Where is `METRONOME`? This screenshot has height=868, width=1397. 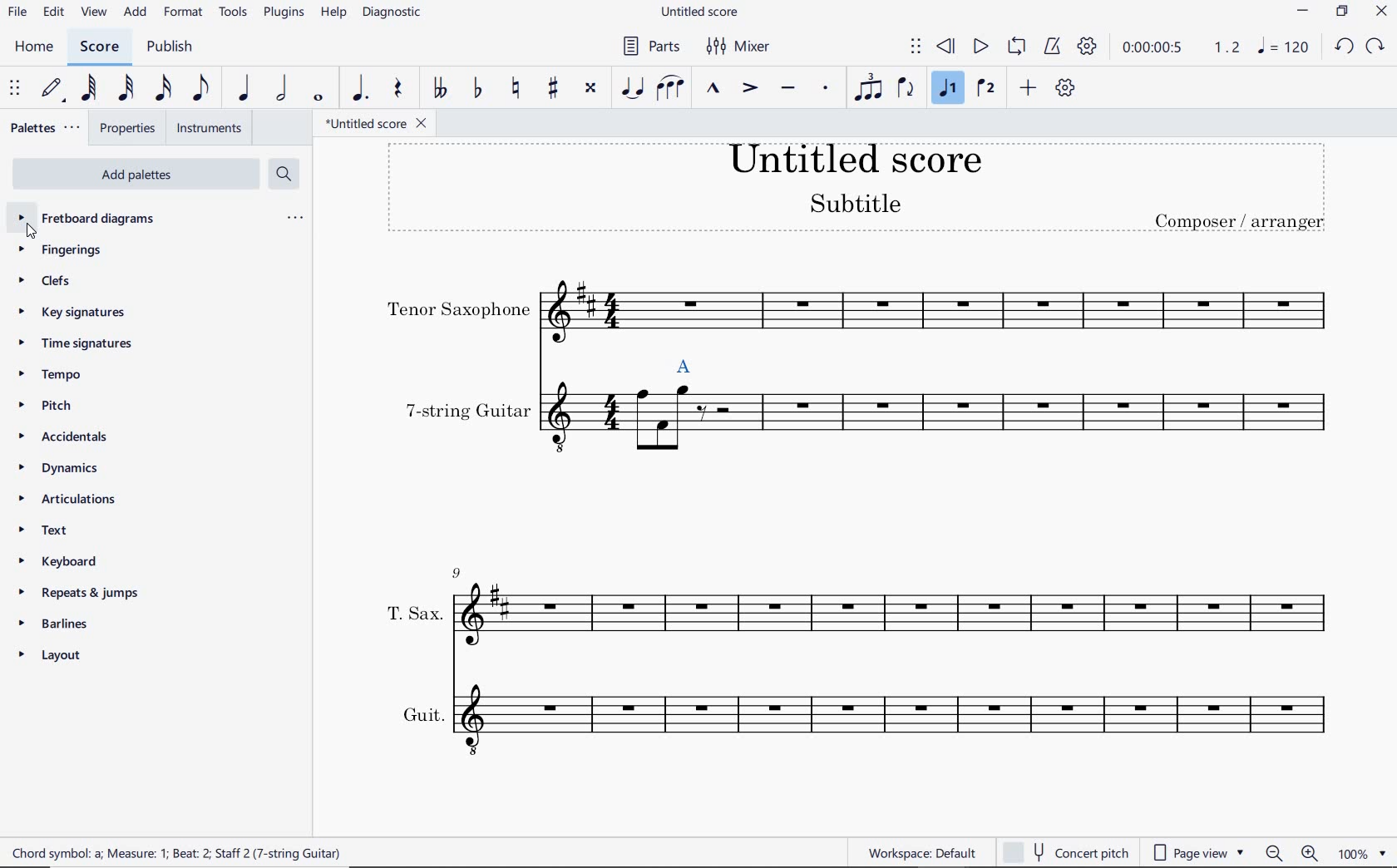
METRONOME is located at coordinates (1052, 47).